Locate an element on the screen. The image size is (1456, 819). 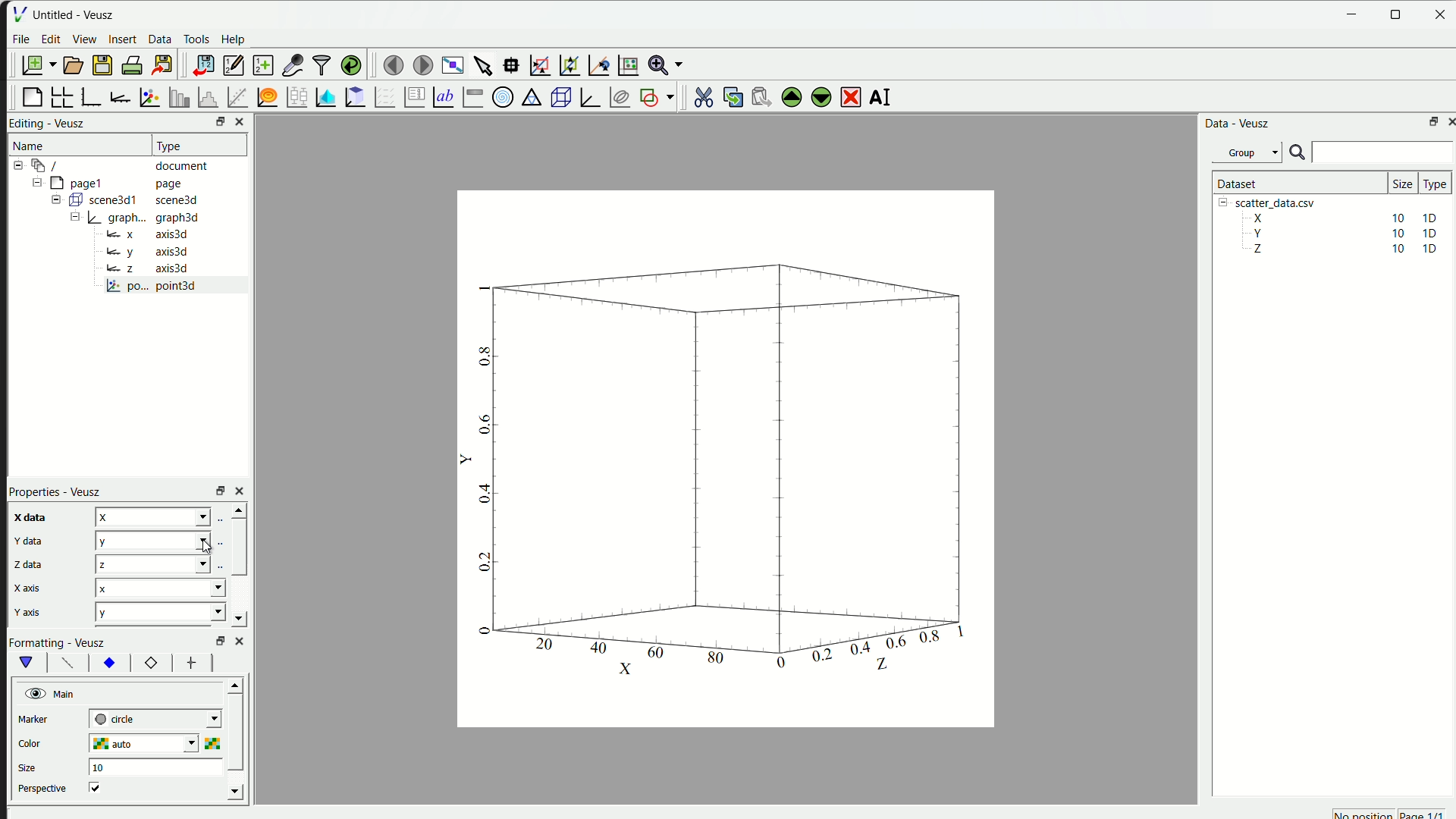
close is located at coordinates (1437, 14).